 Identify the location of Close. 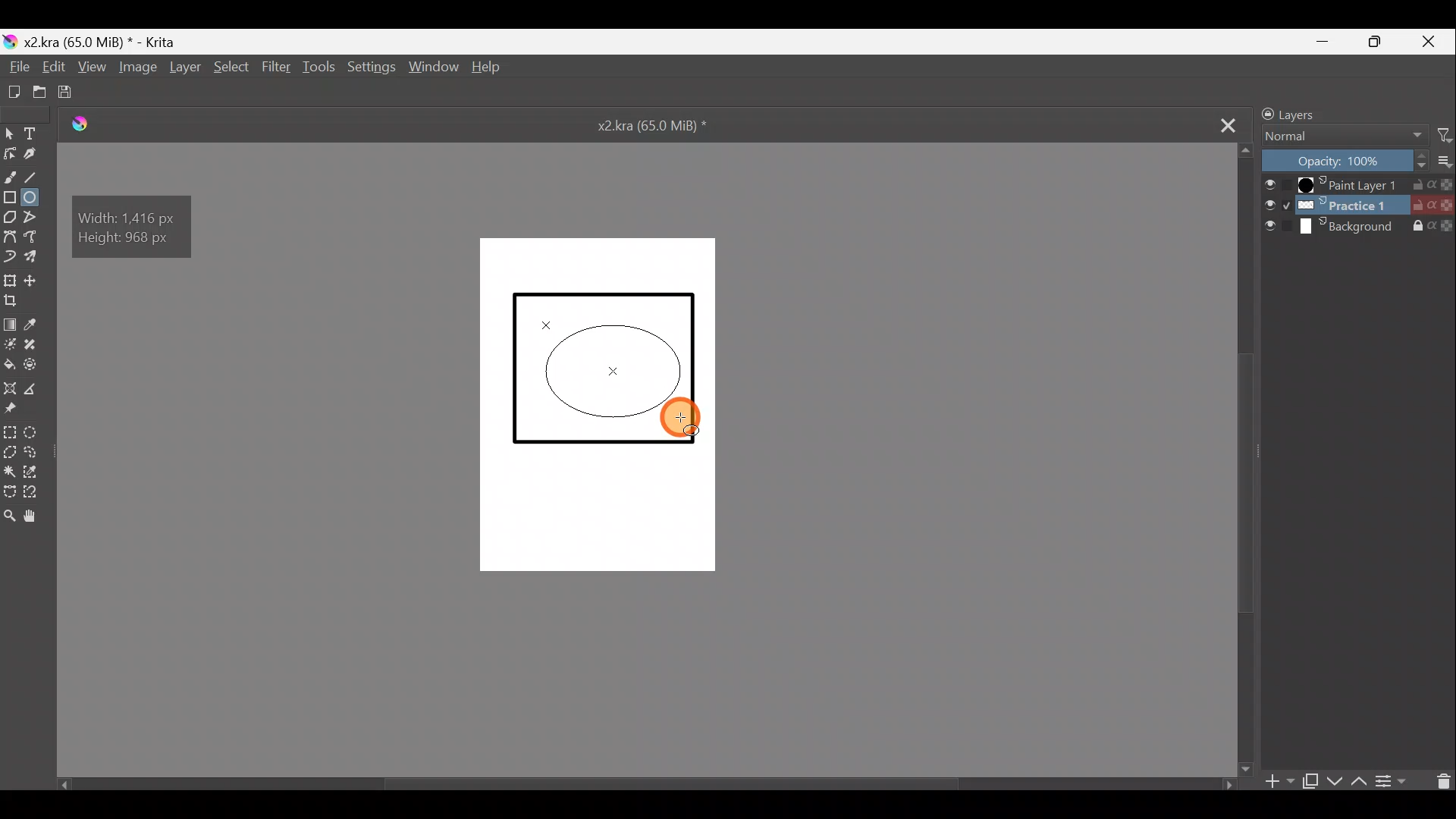
(1434, 41).